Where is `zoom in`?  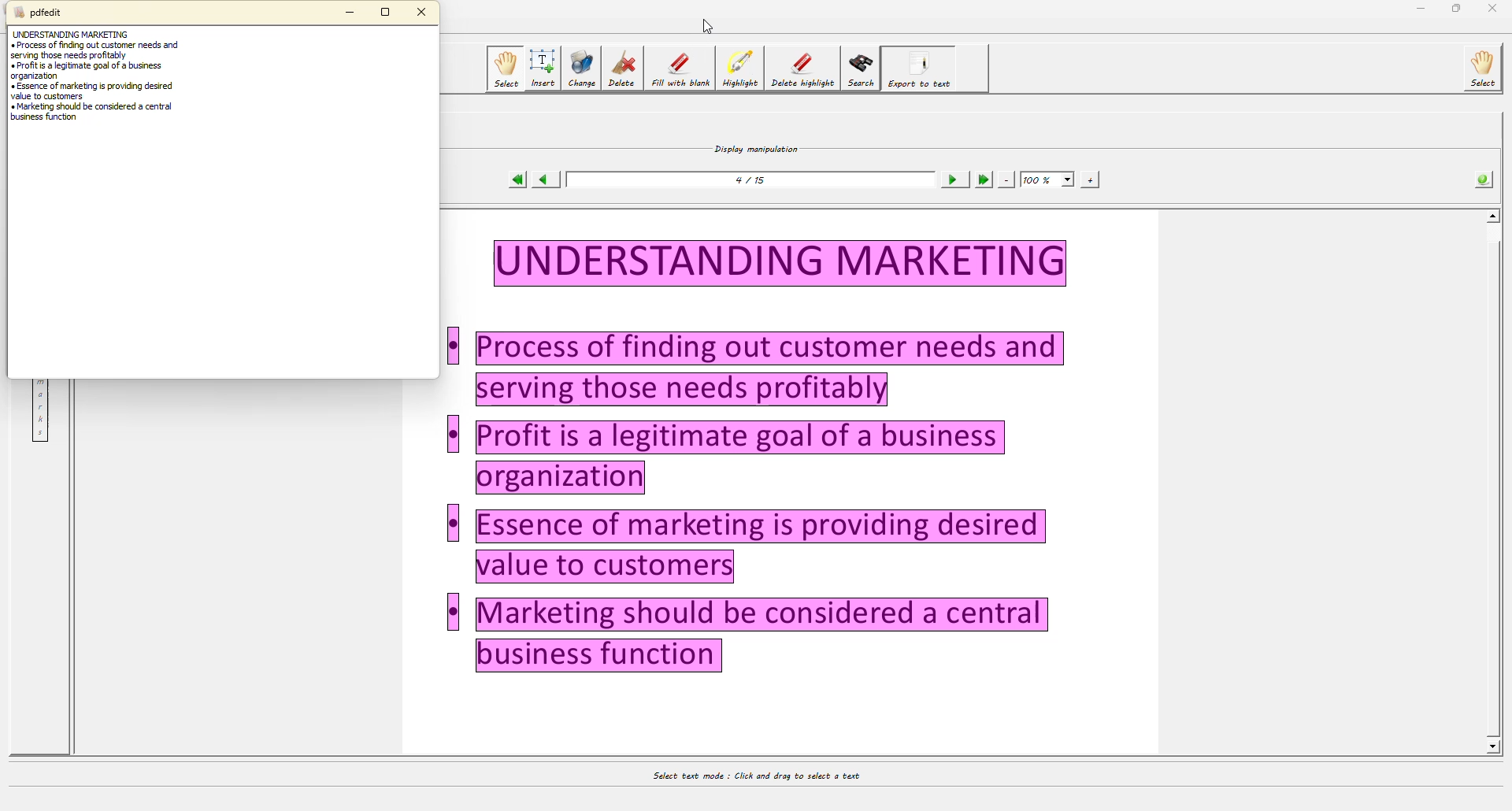 zoom in is located at coordinates (1090, 179).